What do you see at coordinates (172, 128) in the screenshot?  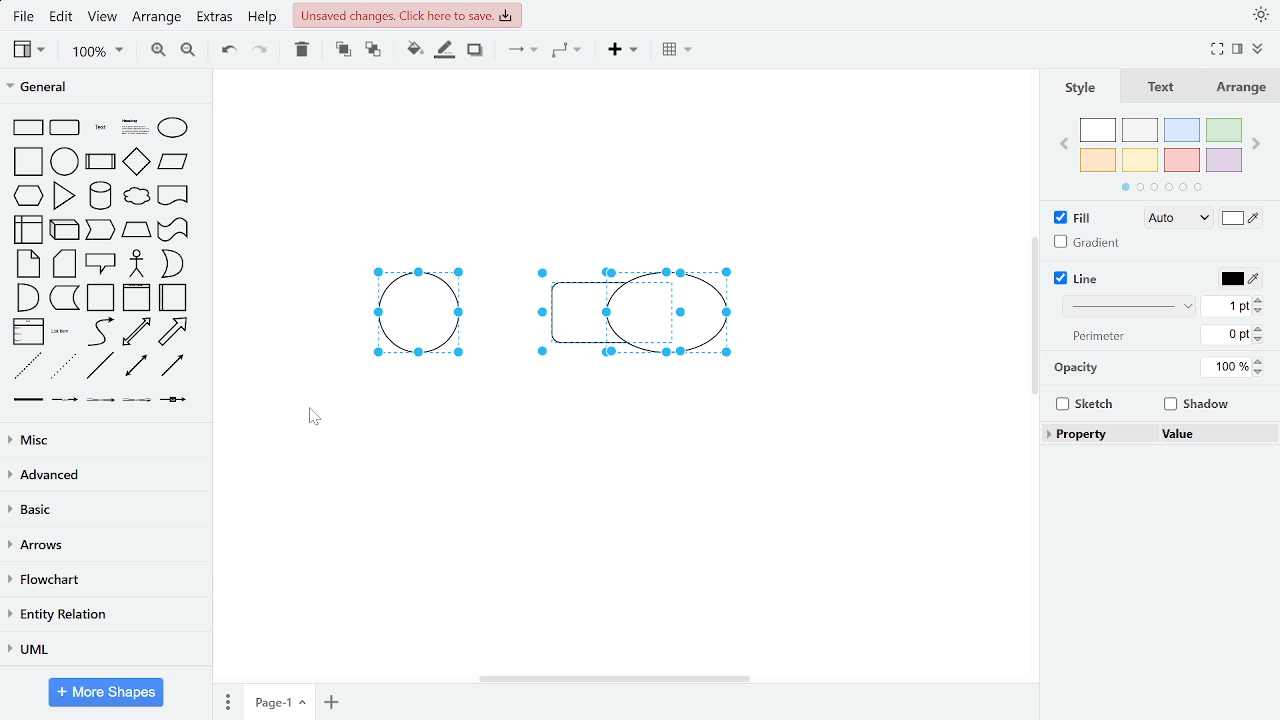 I see `ellipse` at bounding box center [172, 128].